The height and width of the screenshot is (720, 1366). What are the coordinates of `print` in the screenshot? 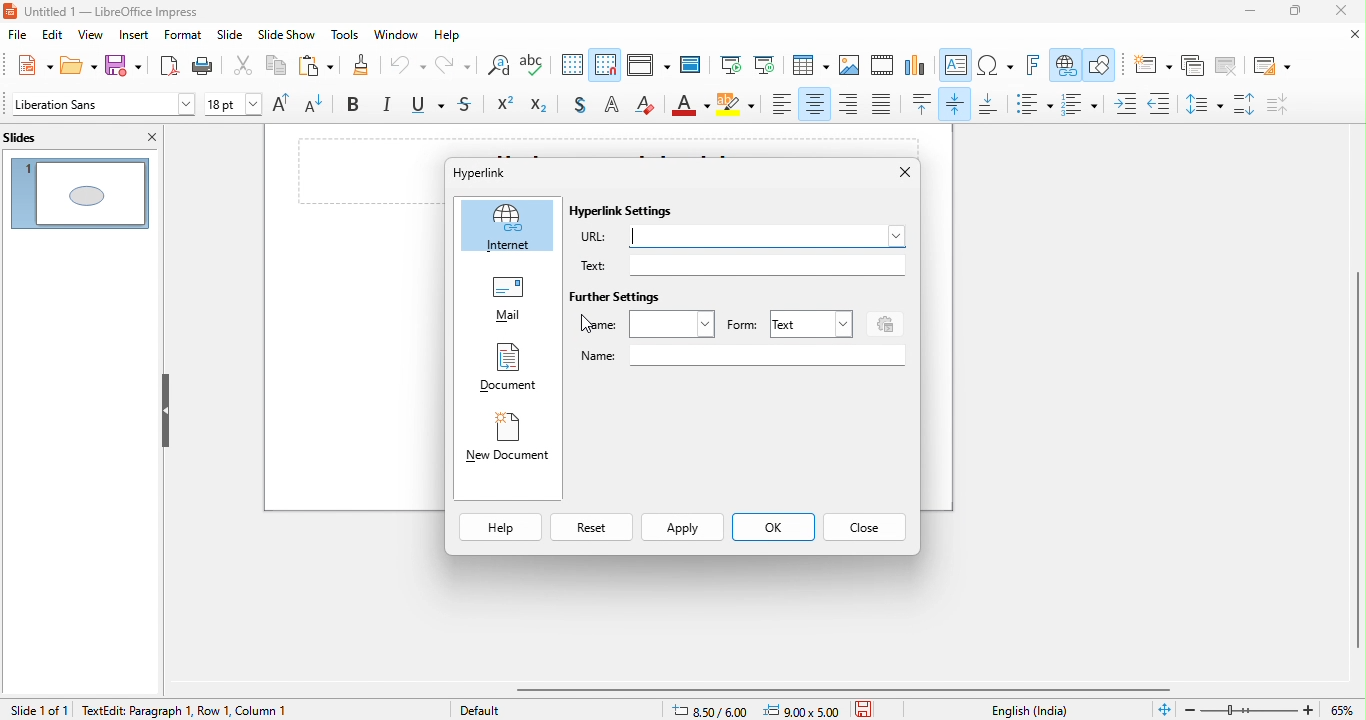 It's located at (208, 66).